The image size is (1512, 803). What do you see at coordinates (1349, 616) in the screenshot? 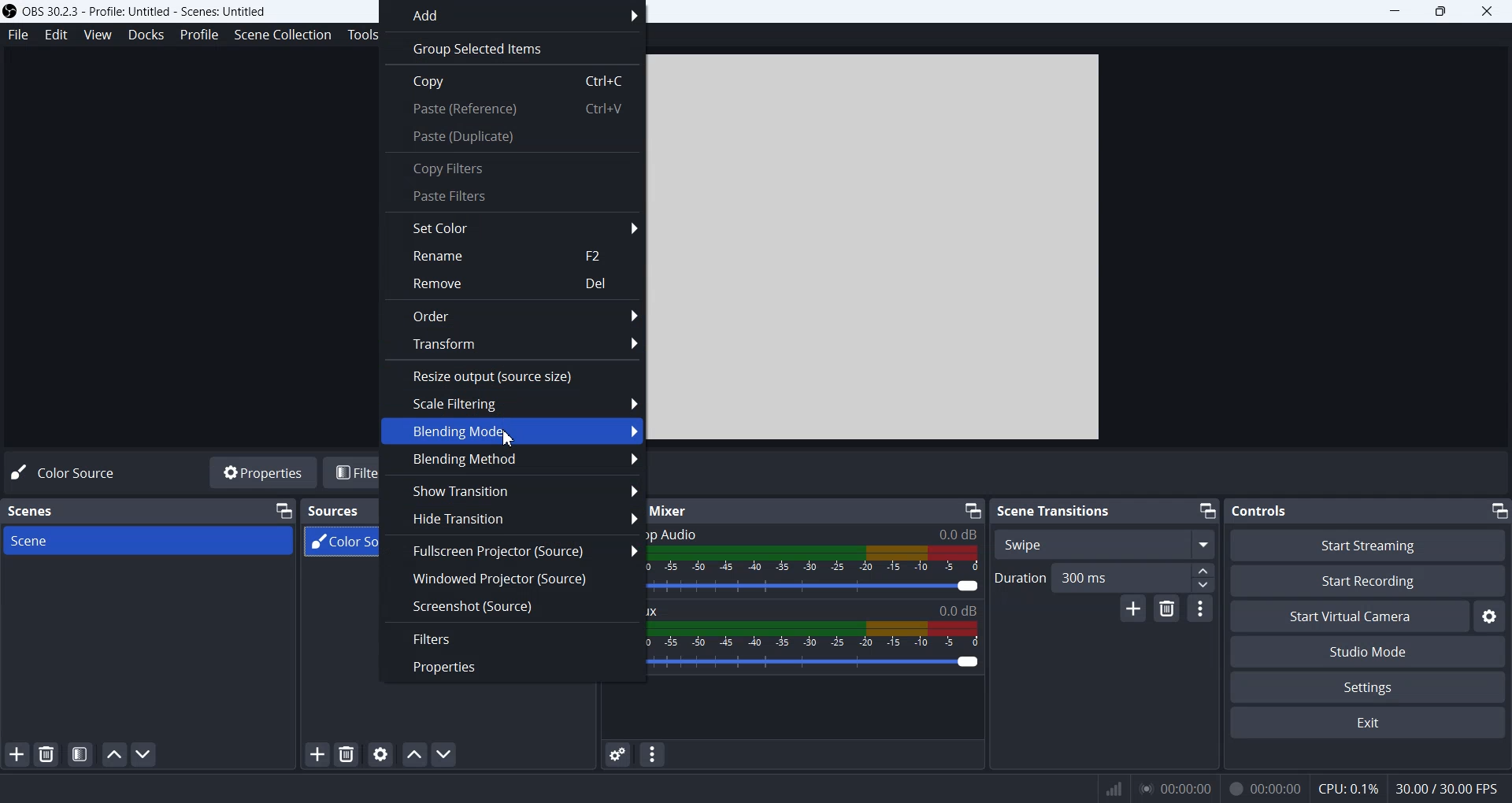
I see `Start Virtual Camera` at bounding box center [1349, 616].